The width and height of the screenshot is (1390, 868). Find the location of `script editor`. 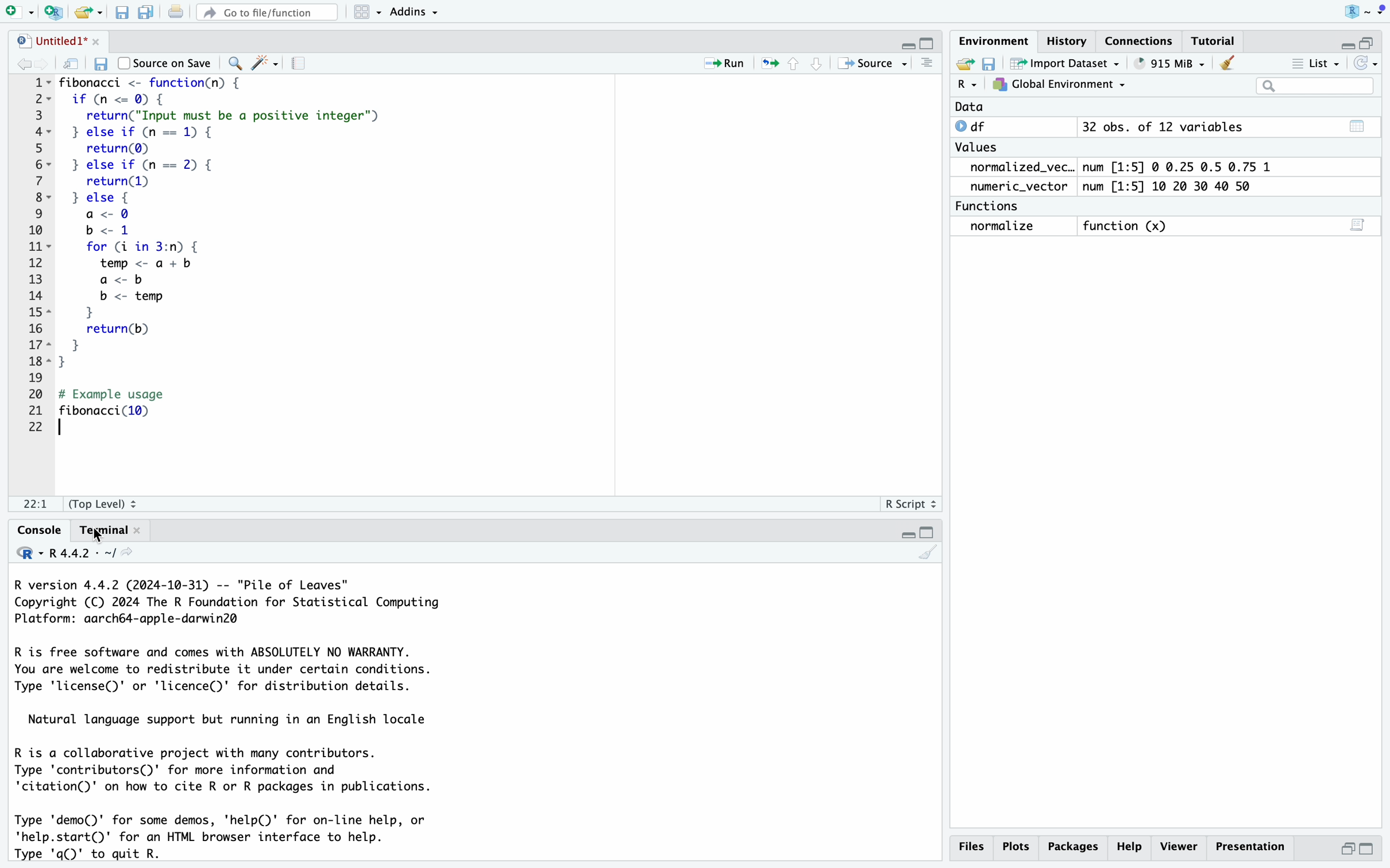

script editor is located at coordinates (1359, 223).